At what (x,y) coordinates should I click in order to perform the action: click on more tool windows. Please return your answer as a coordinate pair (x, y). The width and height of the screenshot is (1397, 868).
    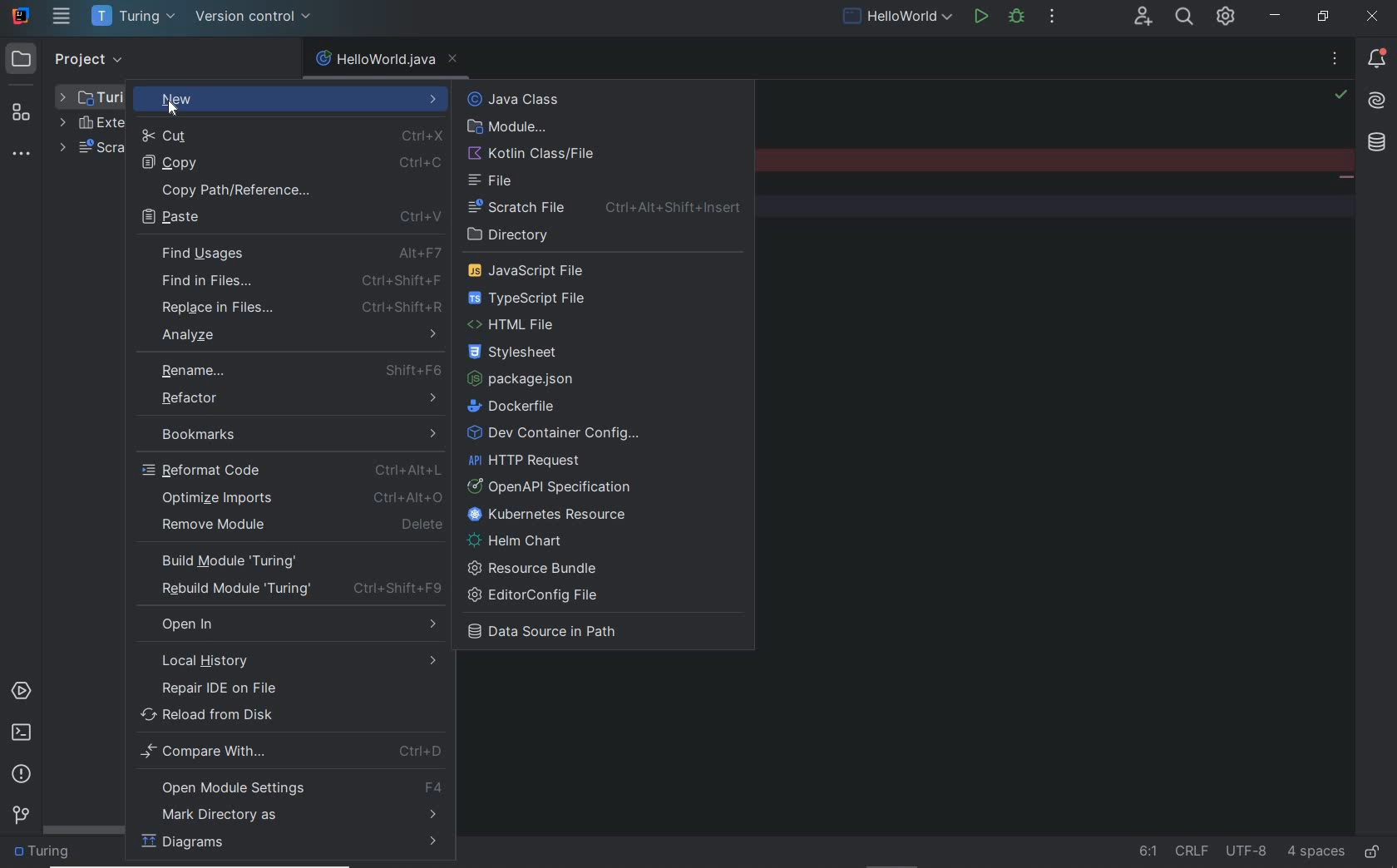
    Looking at the image, I should click on (23, 154).